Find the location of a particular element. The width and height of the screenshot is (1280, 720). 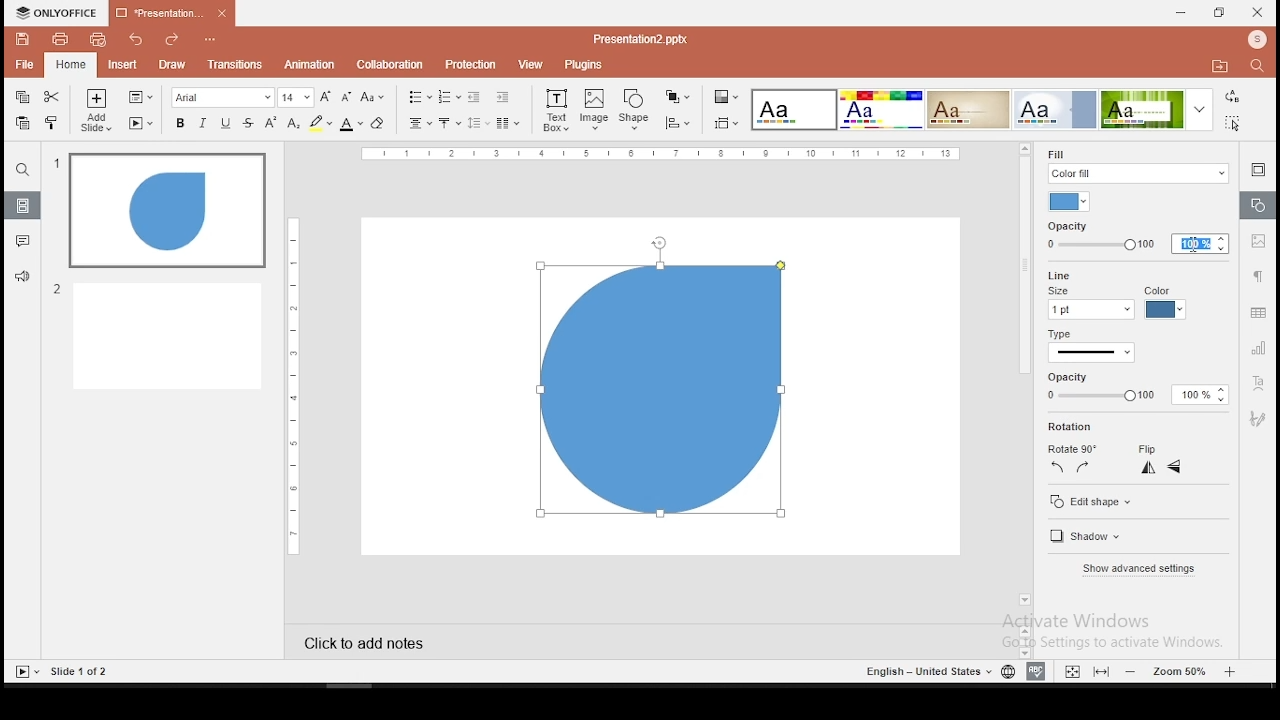

theme is located at coordinates (1155, 110).